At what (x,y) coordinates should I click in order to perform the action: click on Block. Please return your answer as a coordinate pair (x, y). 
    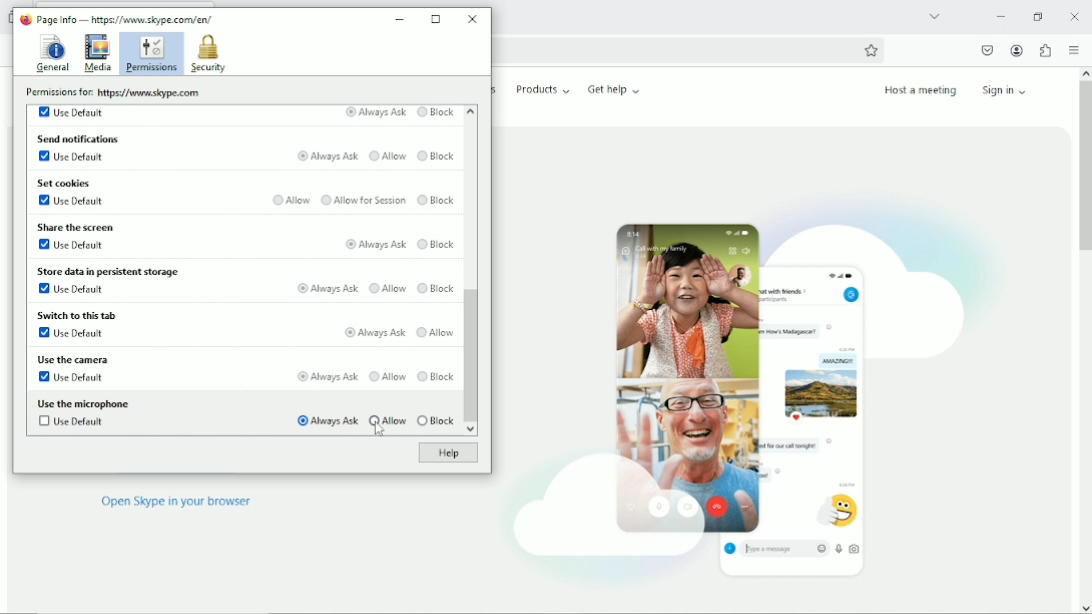
    Looking at the image, I should click on (436, 242).